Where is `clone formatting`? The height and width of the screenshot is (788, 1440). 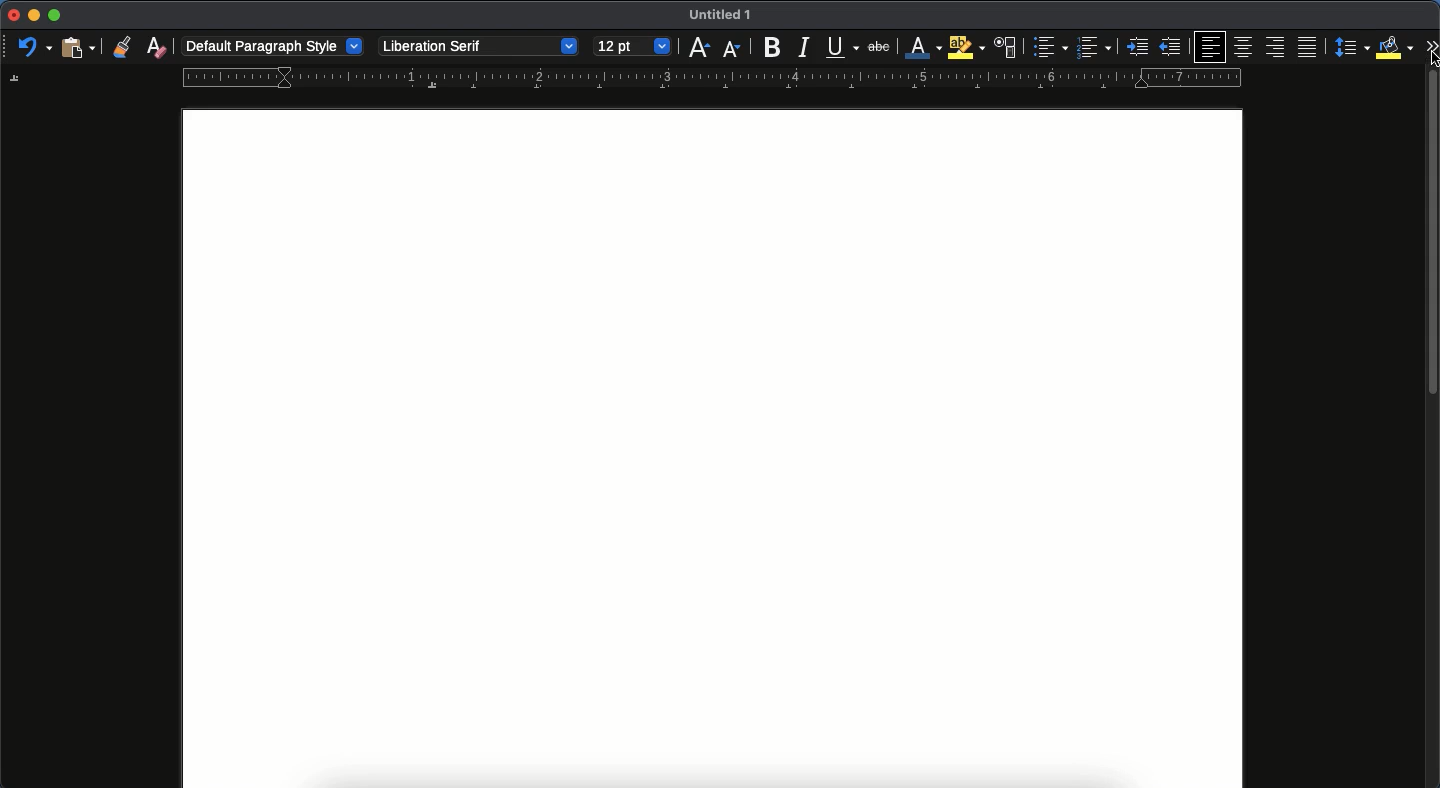 clone formatting is located at coordinates (121, 47).